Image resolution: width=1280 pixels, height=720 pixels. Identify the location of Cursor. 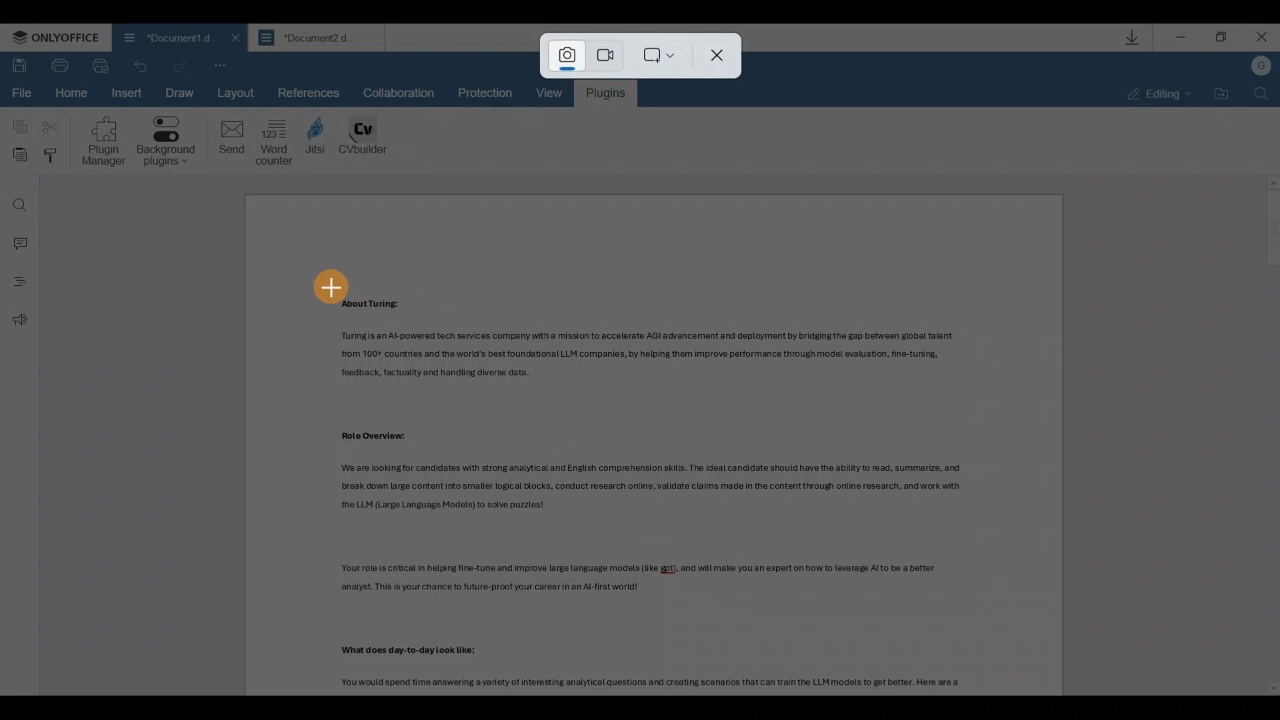
(329, 286).